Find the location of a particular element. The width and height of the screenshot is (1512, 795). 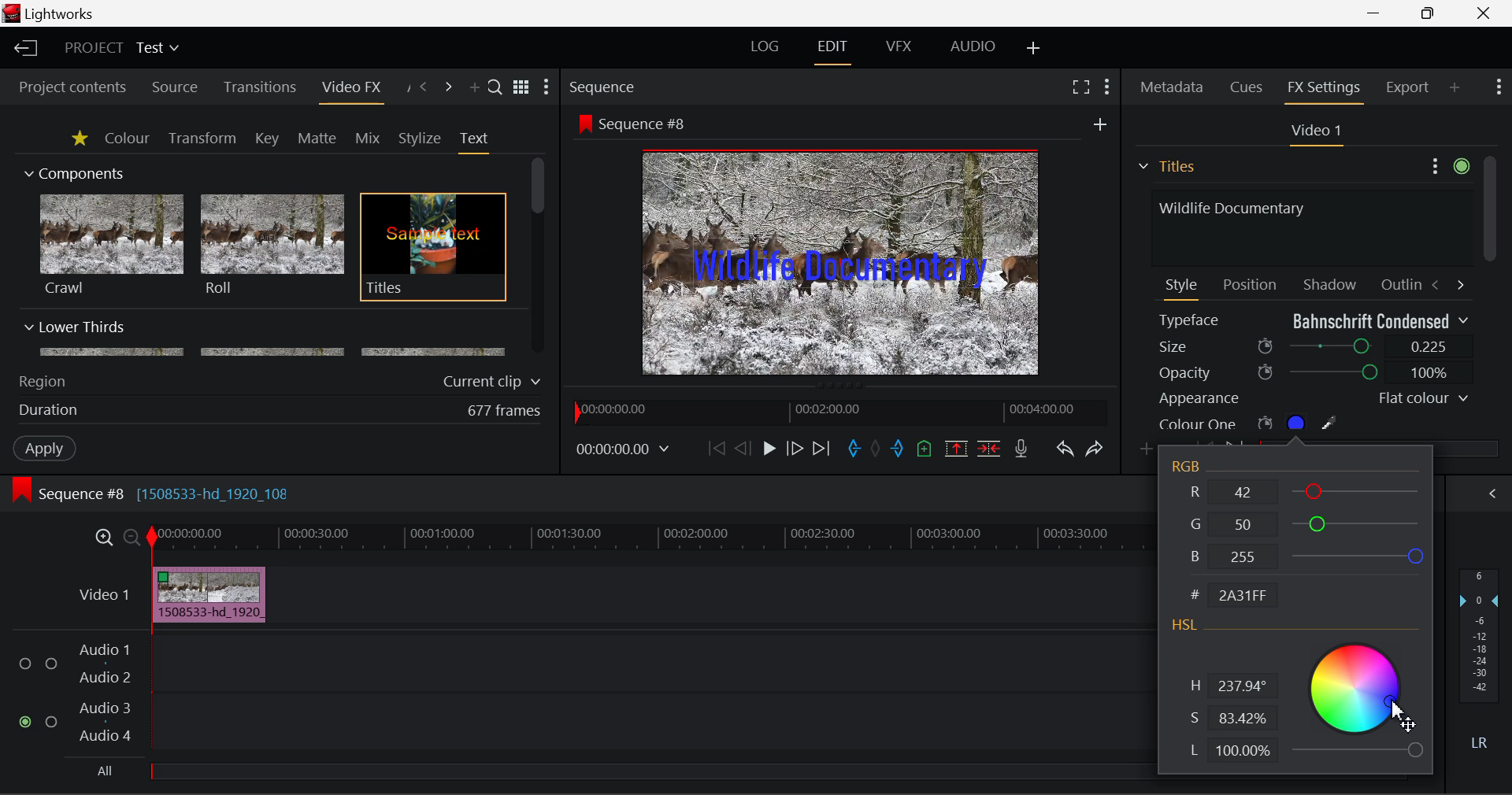

Decibel Level is located at coordinates (1480, 663).